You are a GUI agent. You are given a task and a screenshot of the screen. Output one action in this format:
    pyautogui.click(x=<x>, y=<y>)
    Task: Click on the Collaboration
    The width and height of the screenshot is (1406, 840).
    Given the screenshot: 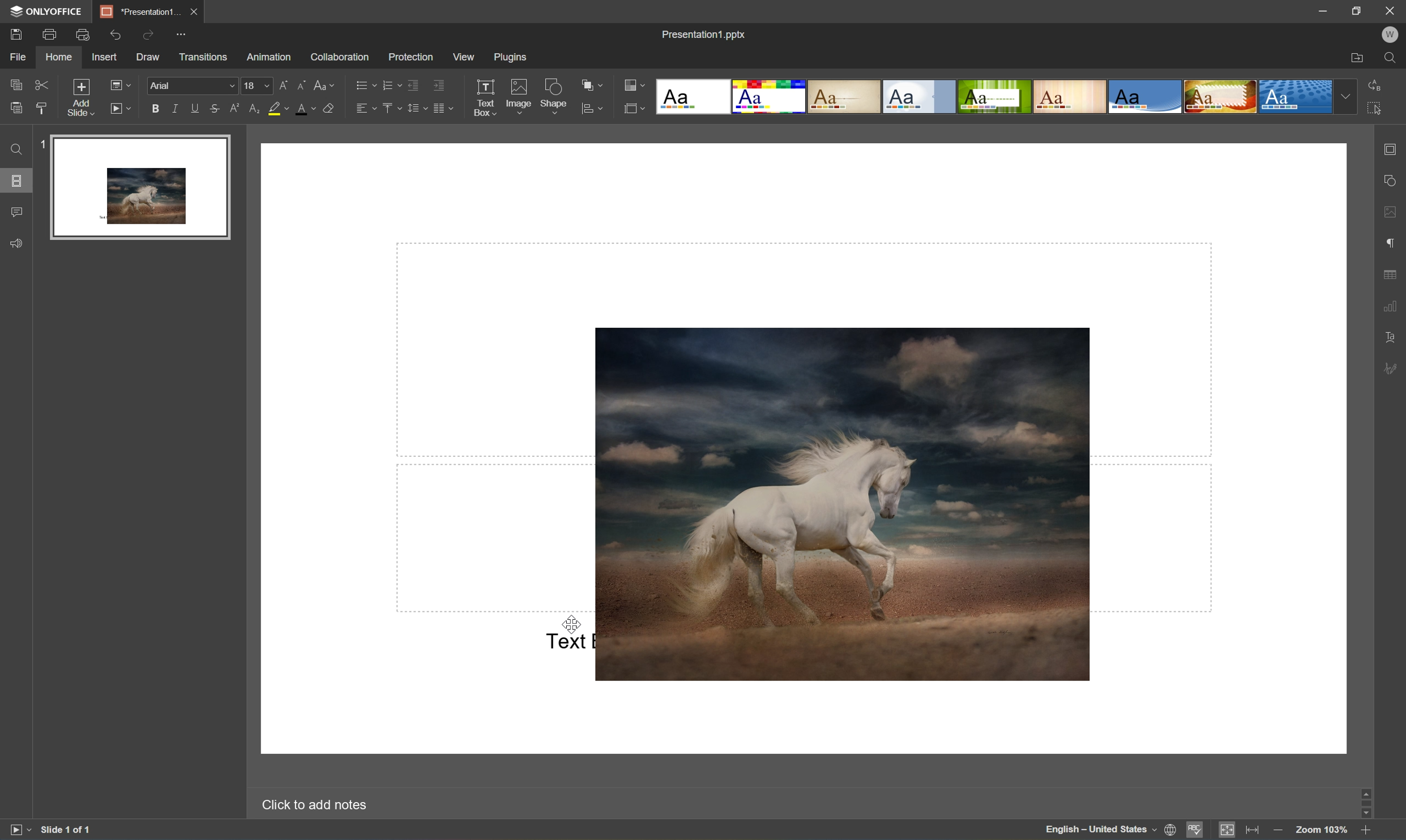 What is the action you would take?
    pyautogui.click(x=340, y=59)
    